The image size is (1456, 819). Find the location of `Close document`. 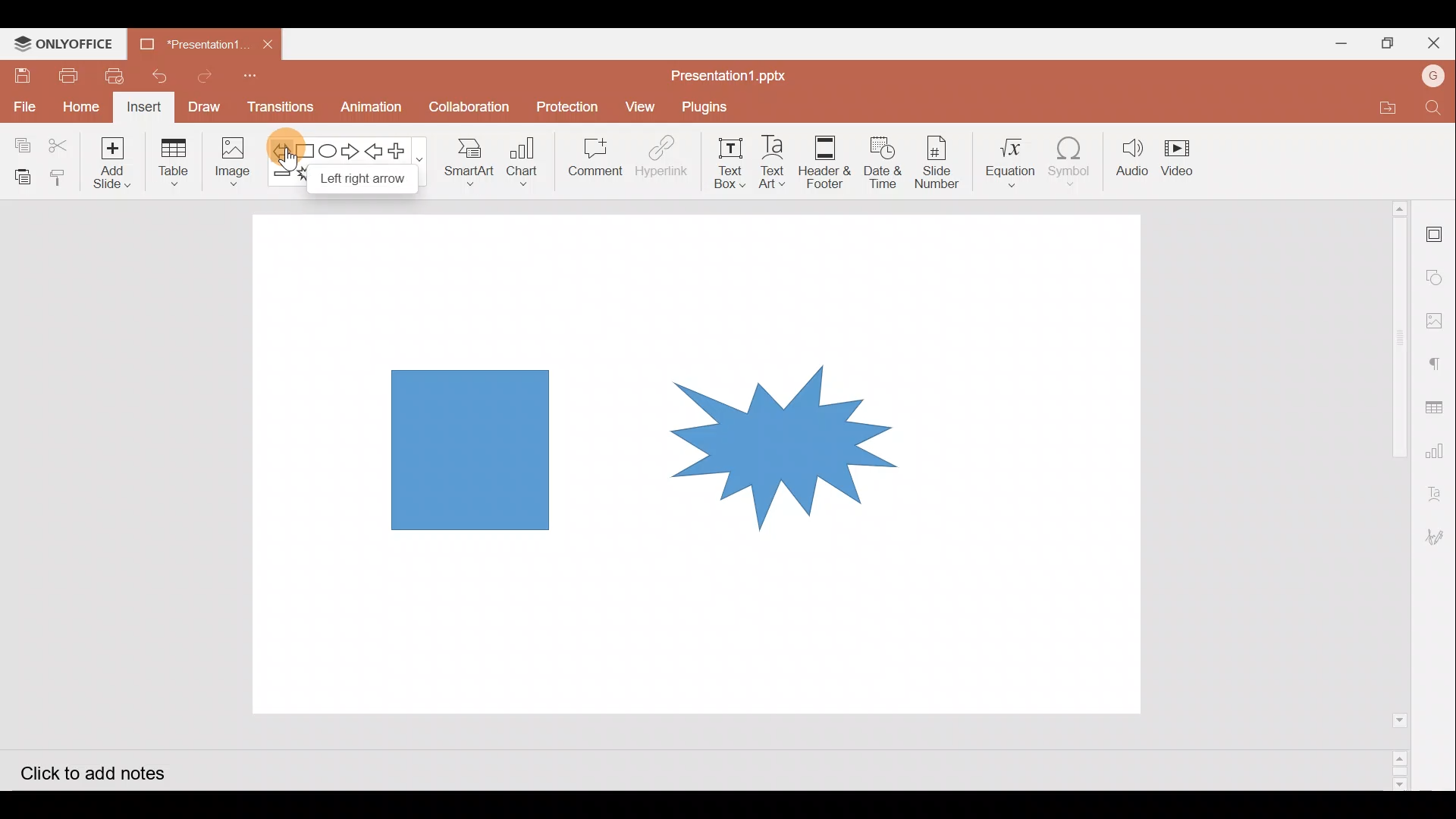

Close document is located at coordinates (272, 46).